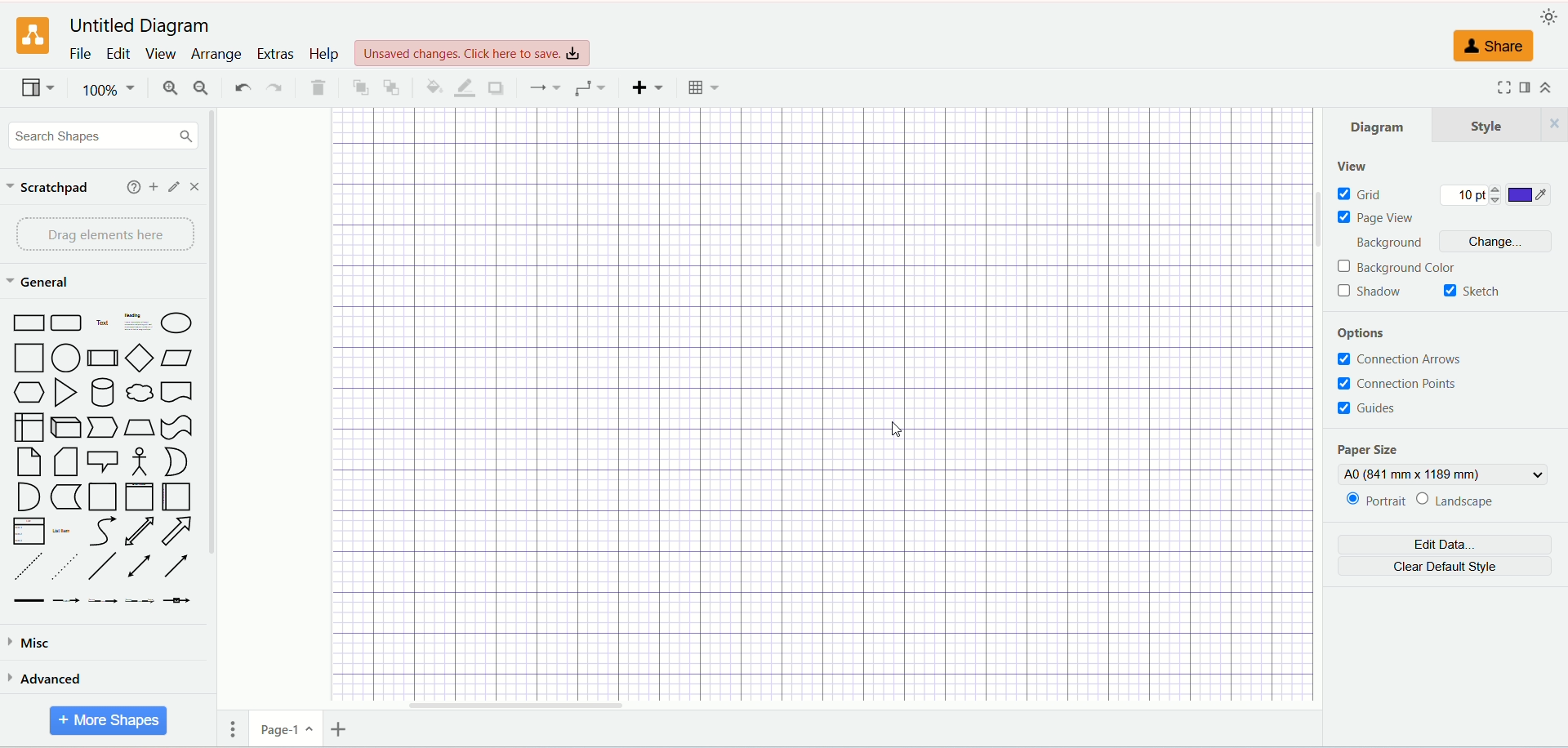 The width and height of the screenshot is (1568, 748). I want to click on Square, so click(30, 359).